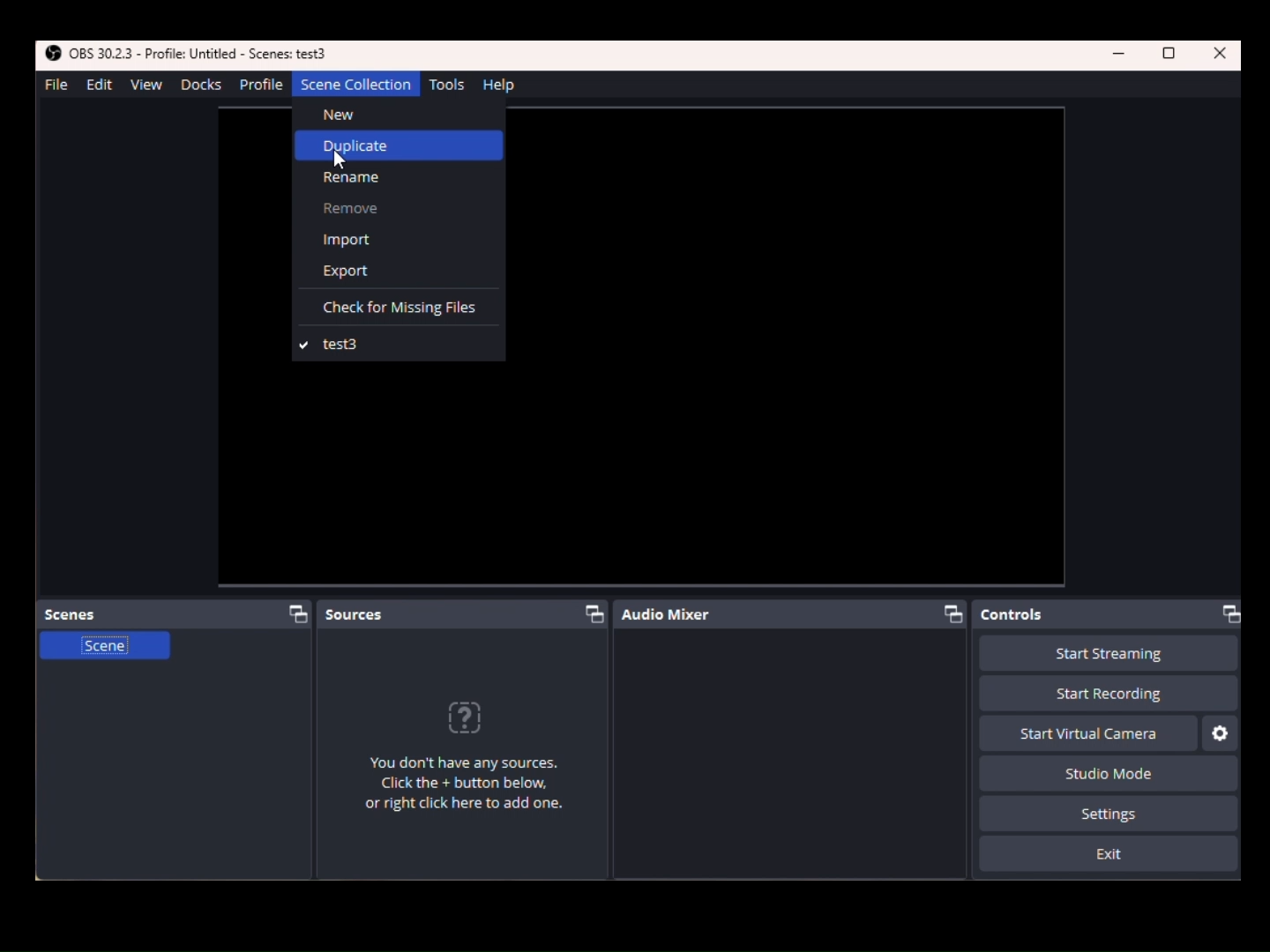  I want to click on Rename, so click(398, 178).